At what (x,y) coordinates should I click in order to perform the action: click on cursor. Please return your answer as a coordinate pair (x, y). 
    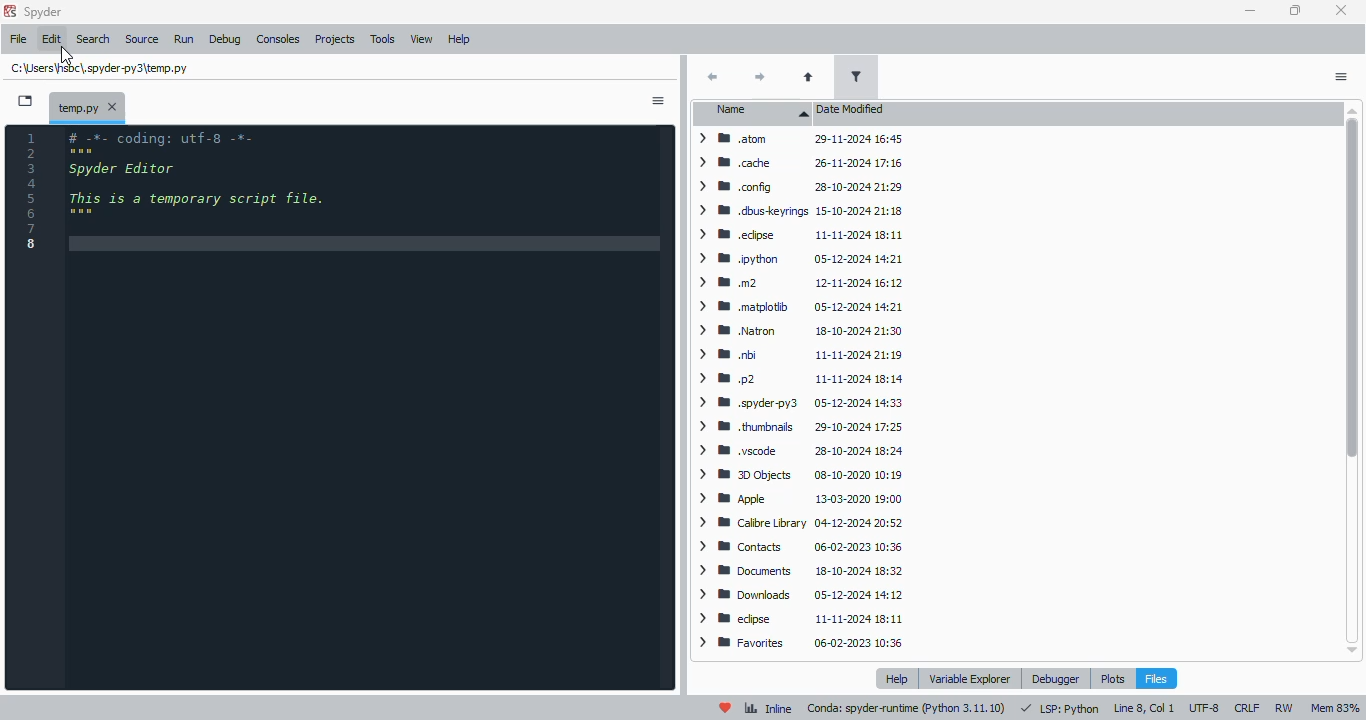
    Looking at the image, I should click on (66, 55).